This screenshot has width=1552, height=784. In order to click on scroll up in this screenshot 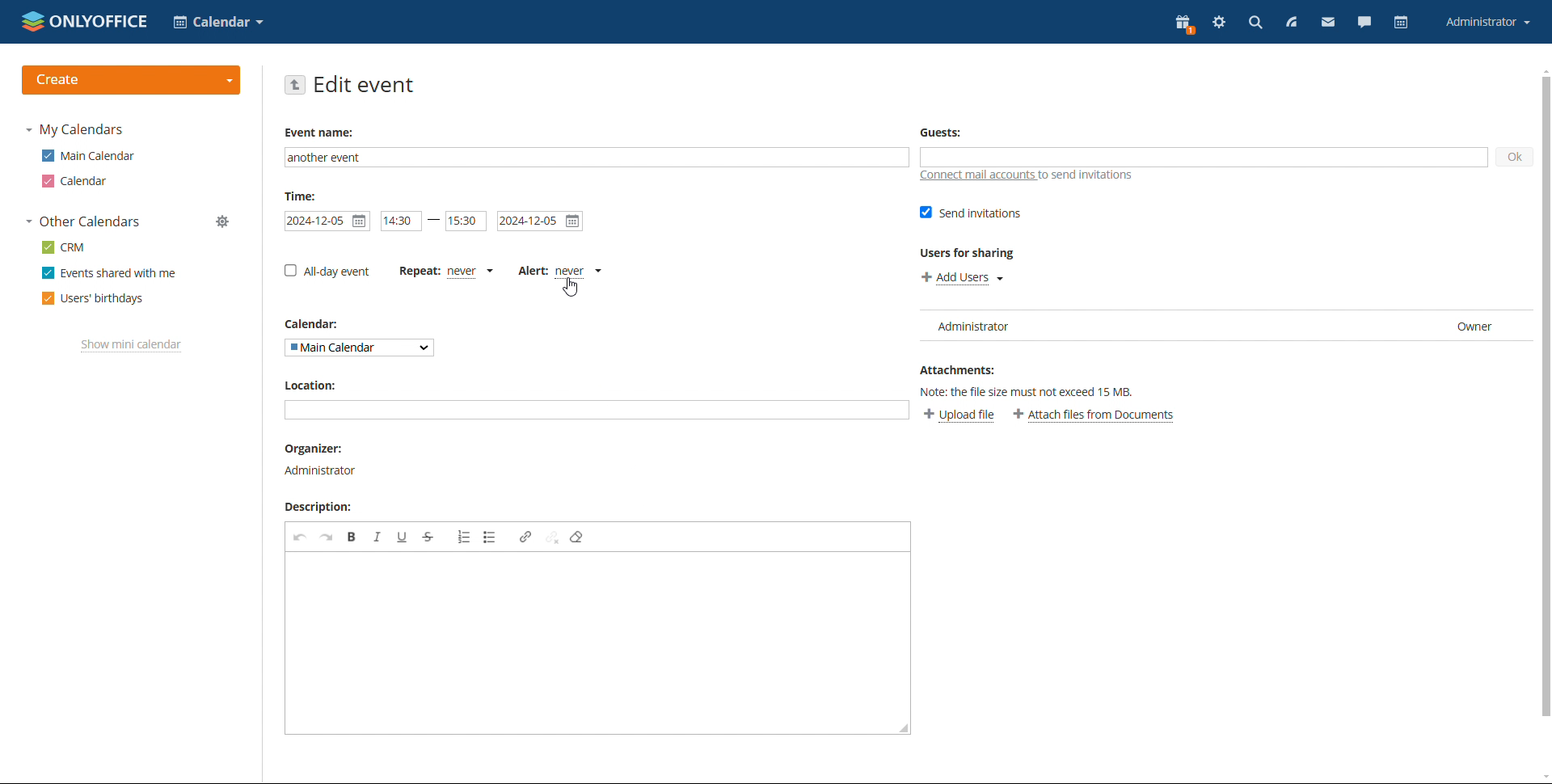, I will do `click(1542, 70)`.